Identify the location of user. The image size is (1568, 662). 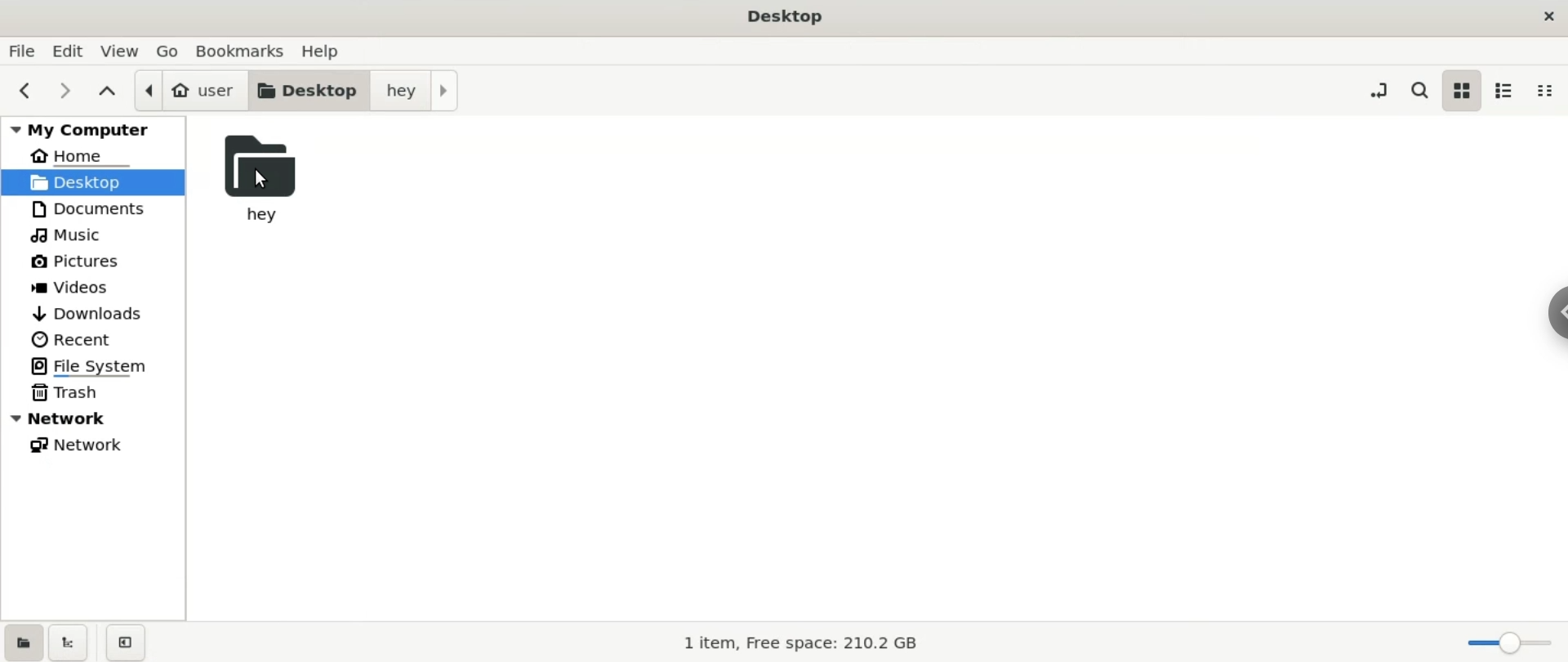
(186, 89).